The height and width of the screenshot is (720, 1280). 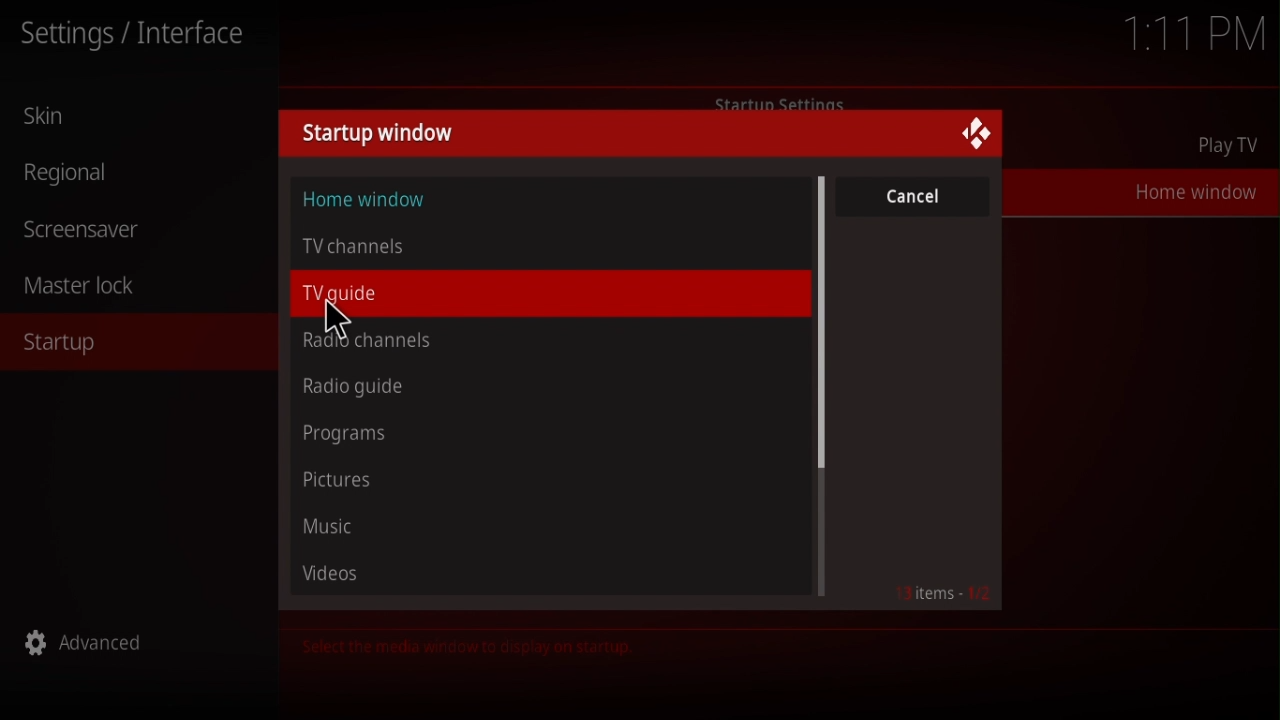 What do you see at coordinates (75, 174) in the screenshot?
I see `regional` at bounding box center [75, 174].